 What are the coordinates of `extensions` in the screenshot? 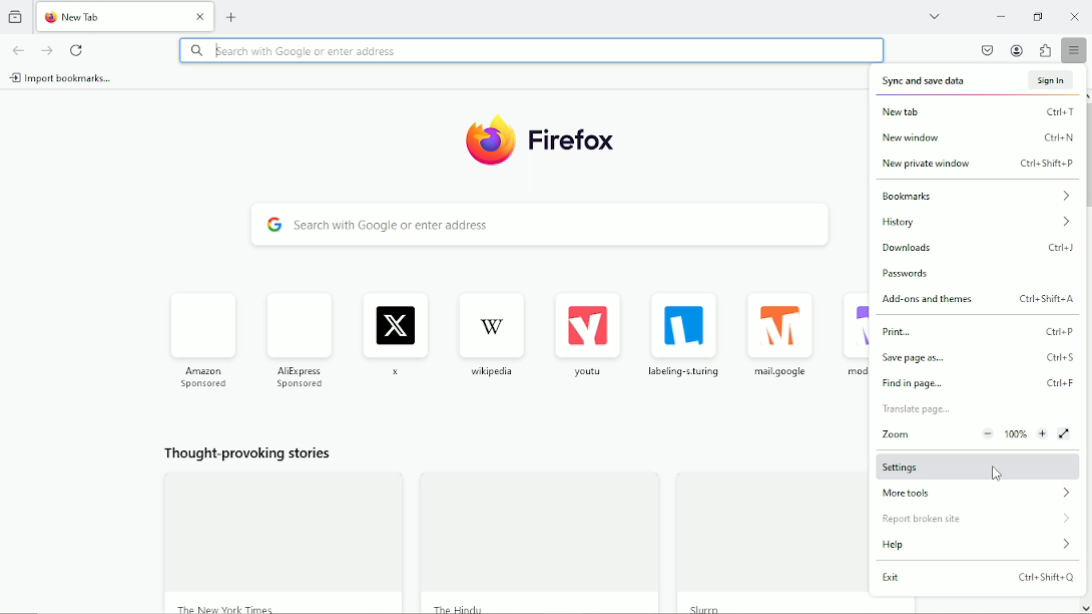 It's located at (1045, 50).